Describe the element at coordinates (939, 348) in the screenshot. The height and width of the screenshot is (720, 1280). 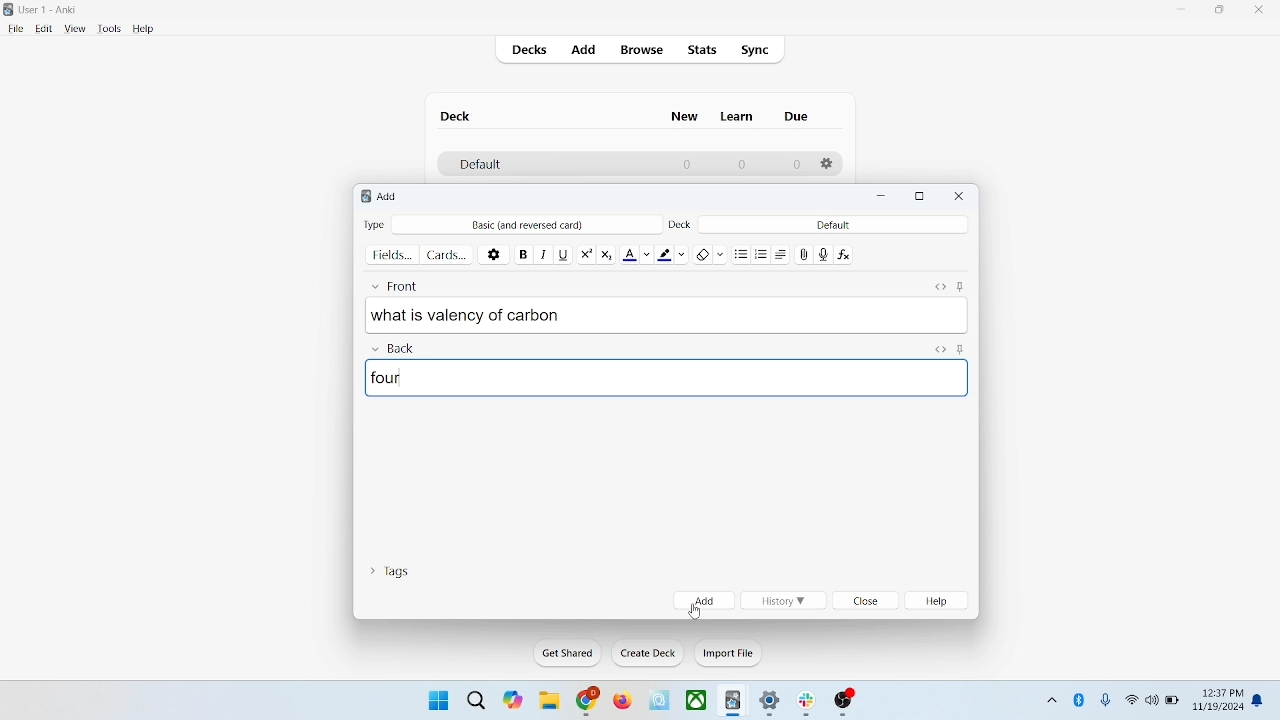
I see `HTML editor` at that location.